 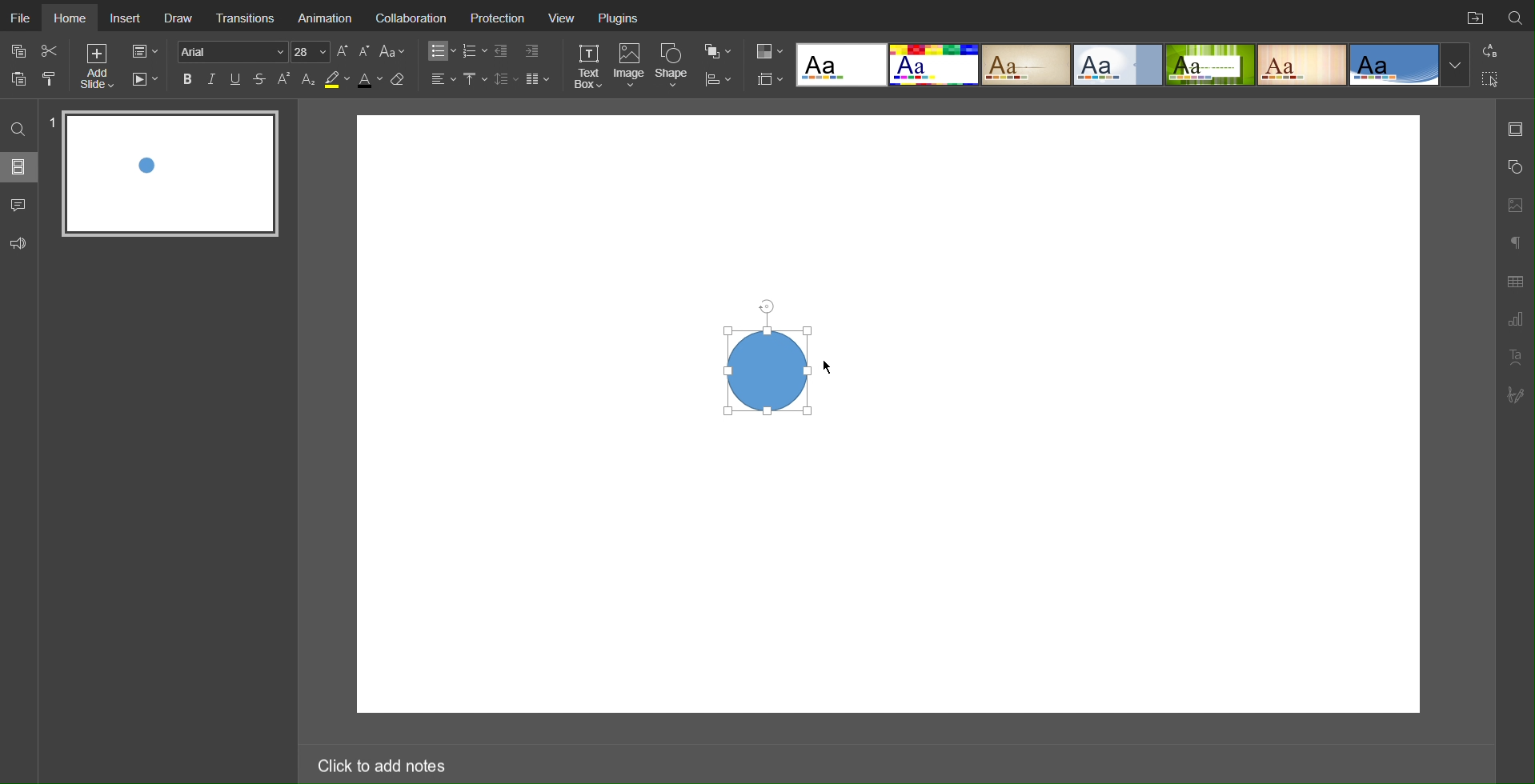 What do you see at coordinates (353, 51) in the screenshot?
I see `Font Size` at bounding box center [353, 51].